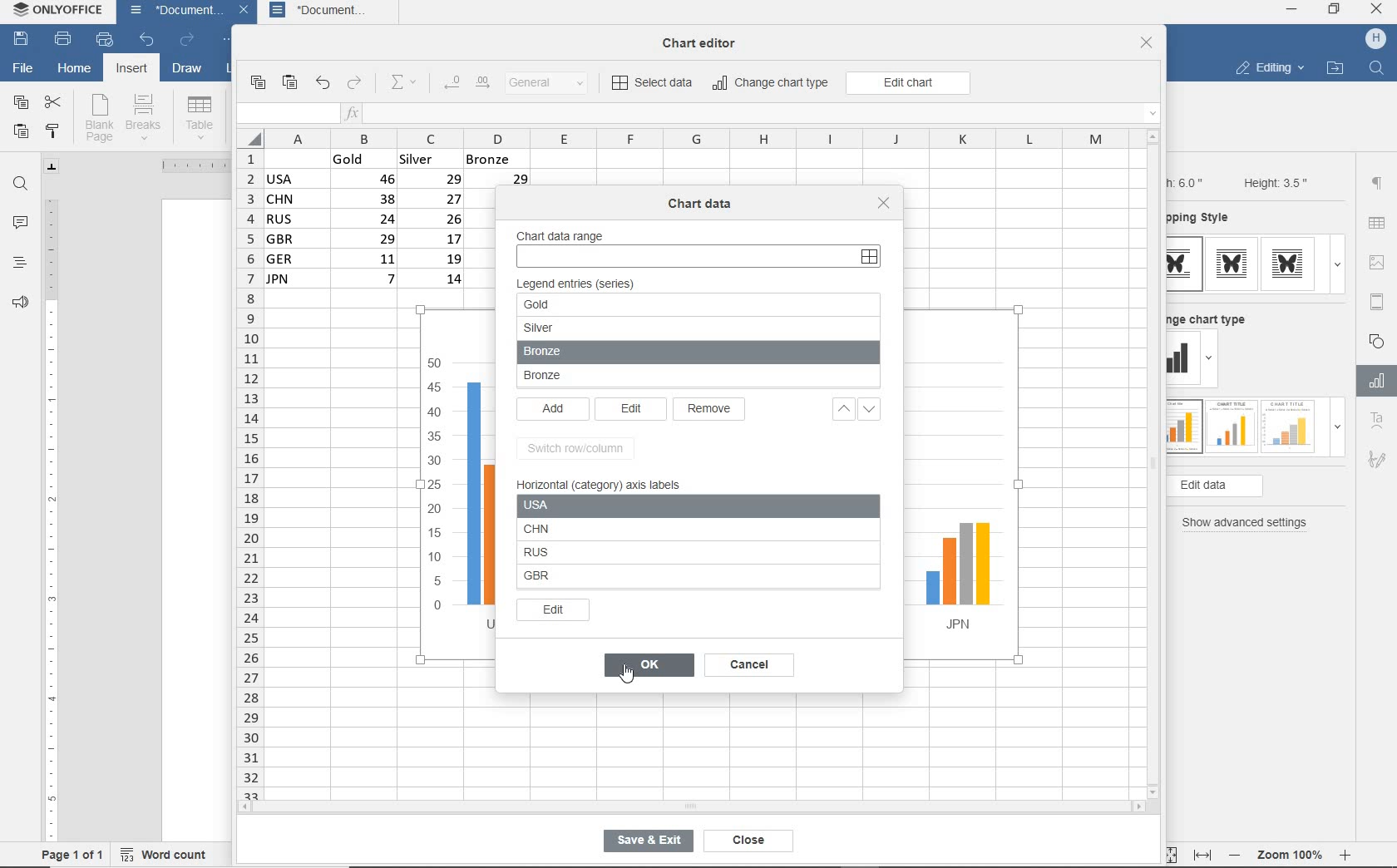 This screenshot has width=1397, height=868. I want to click on add, so click(553, 411).